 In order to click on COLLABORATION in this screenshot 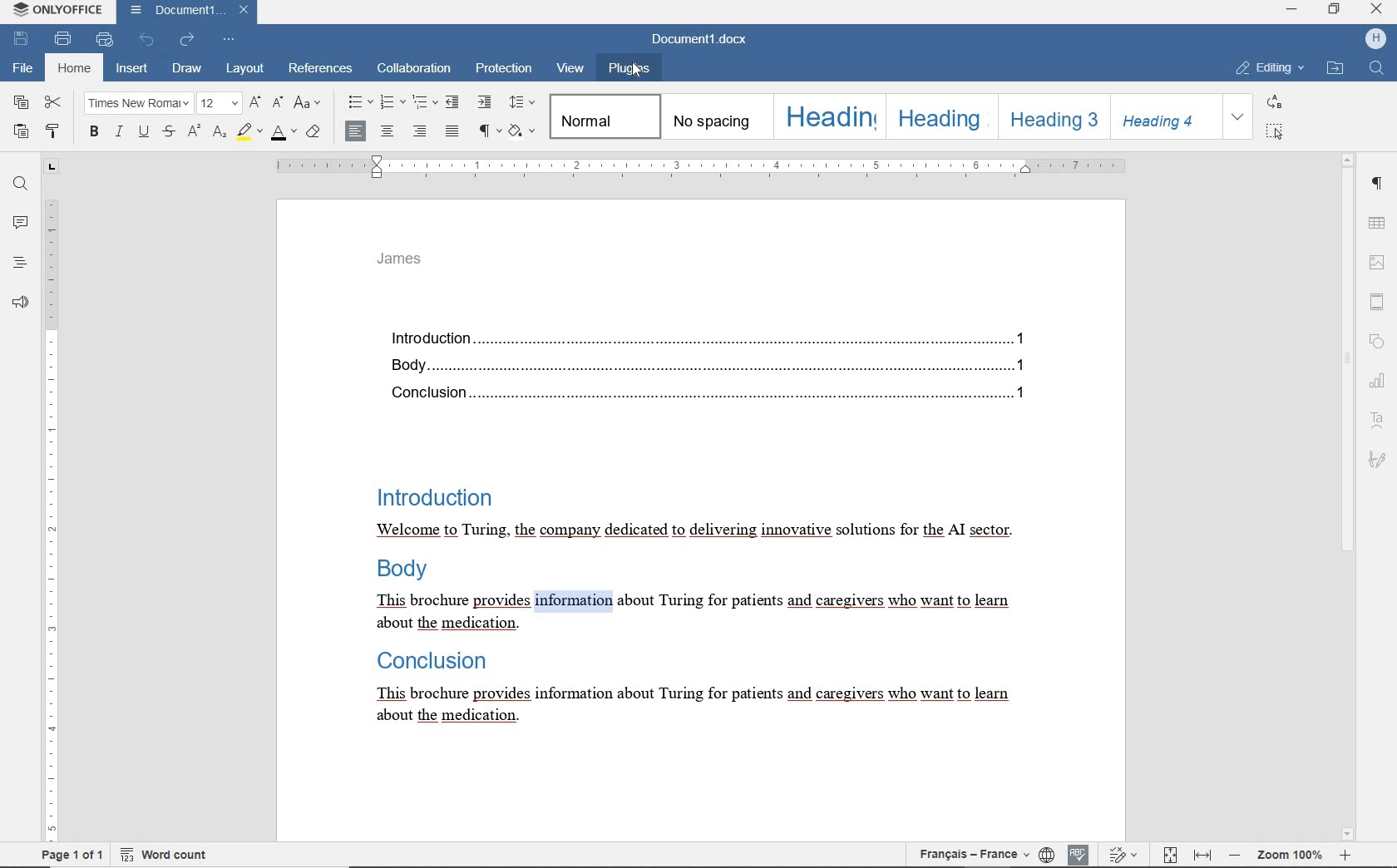, I will do `click(413, 70)`.